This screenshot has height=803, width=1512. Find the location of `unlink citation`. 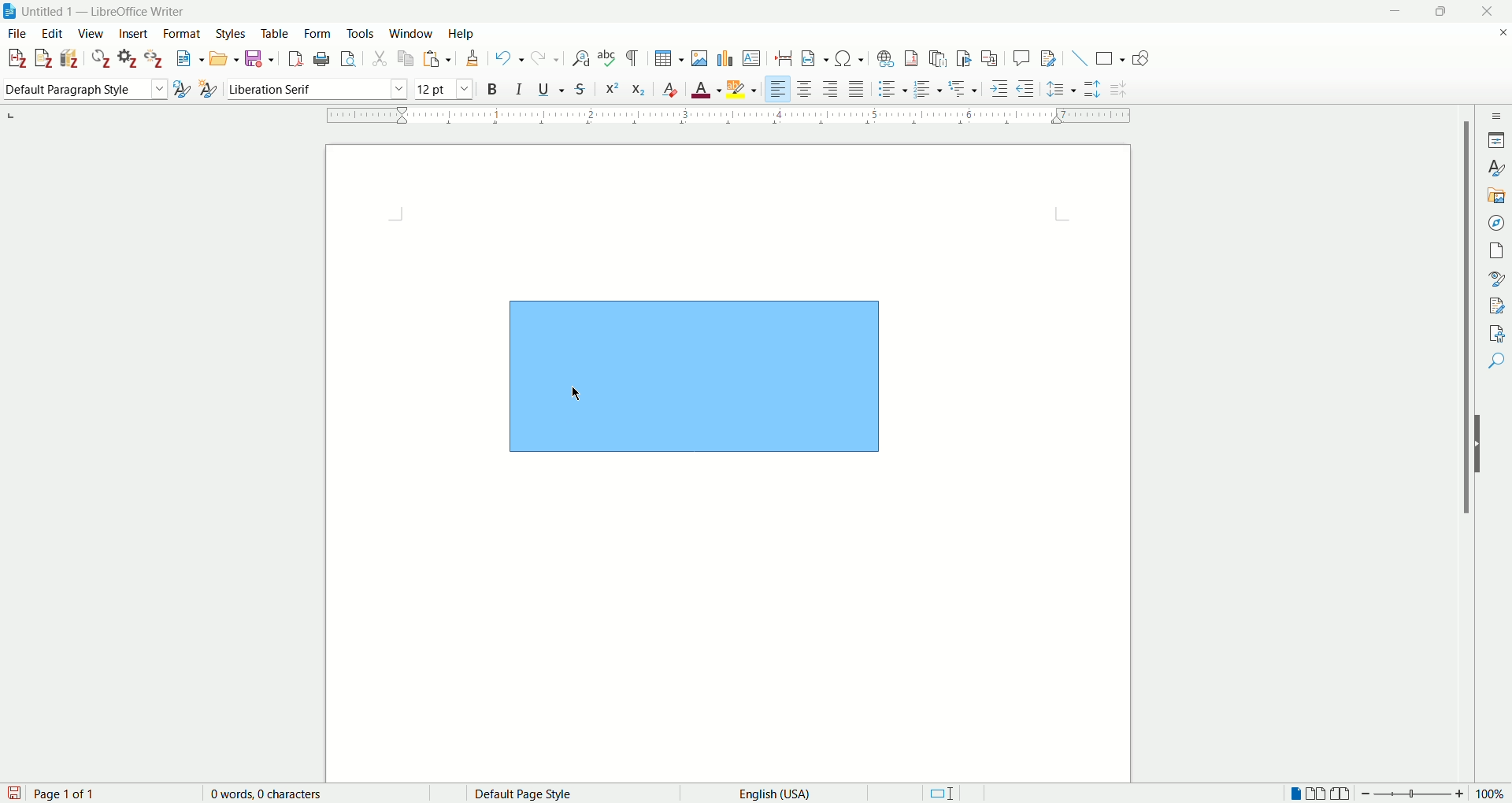

unlink citation is located at coordinates (154, 58).